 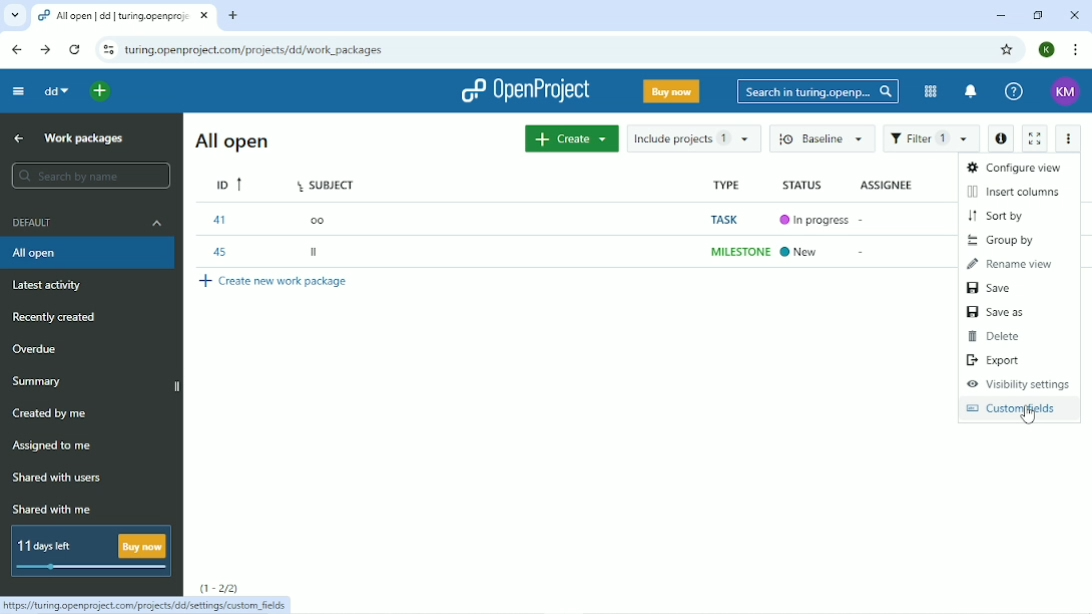 What do you see at coordinates (729, 219) in the screenshot?
I see `Task` at bounding box center [729, 219].